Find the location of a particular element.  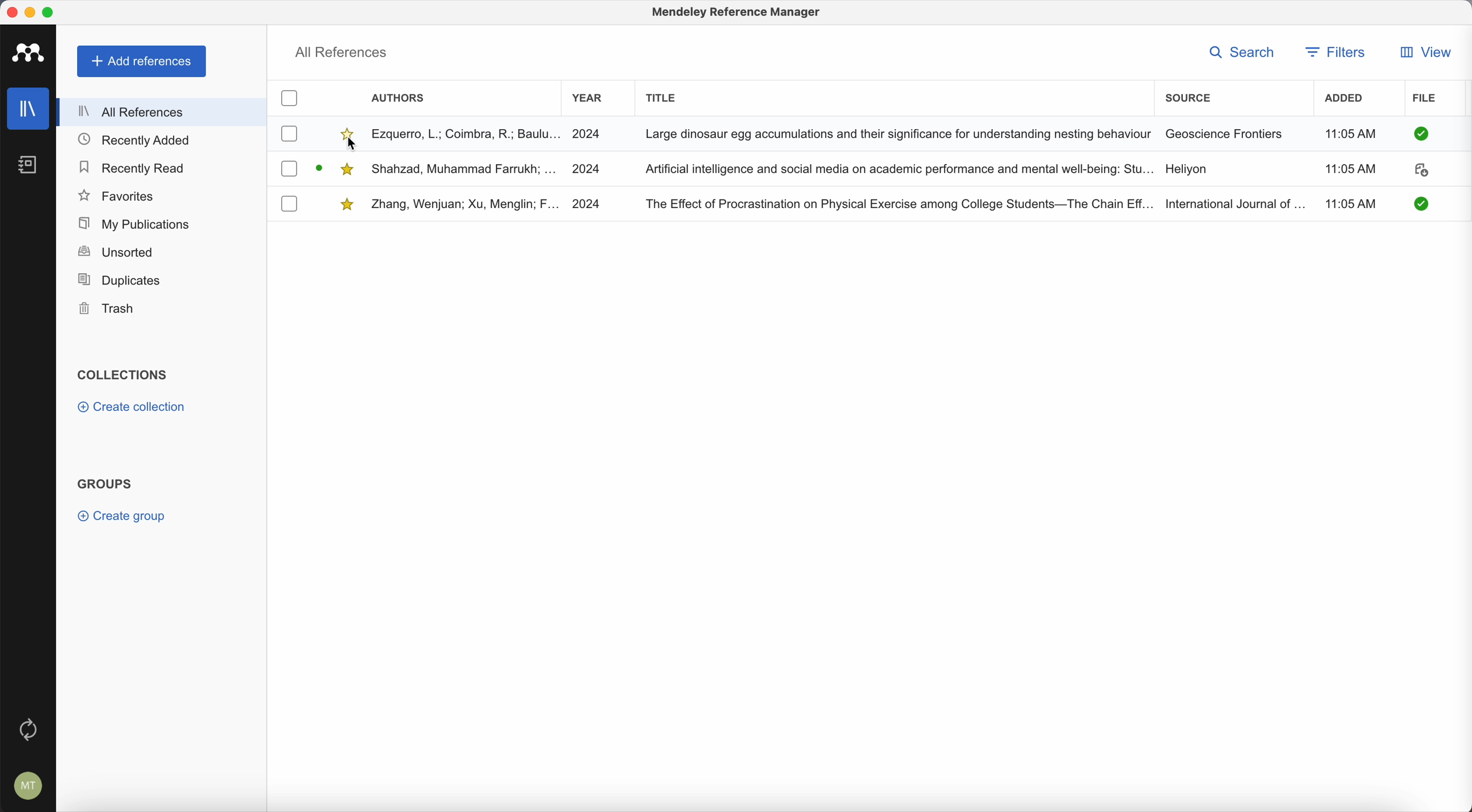

groups is located at coordinates (105, 482).